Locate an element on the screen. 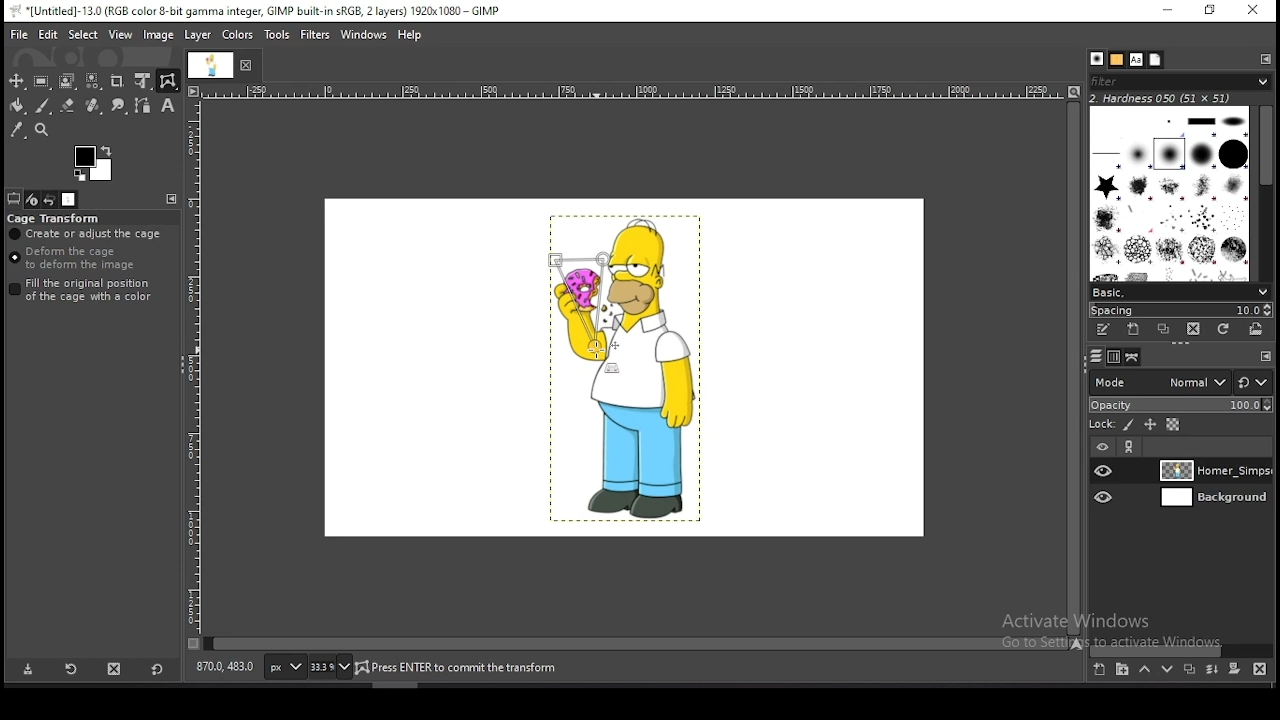  cage transform is located at coordinates (55, 218).